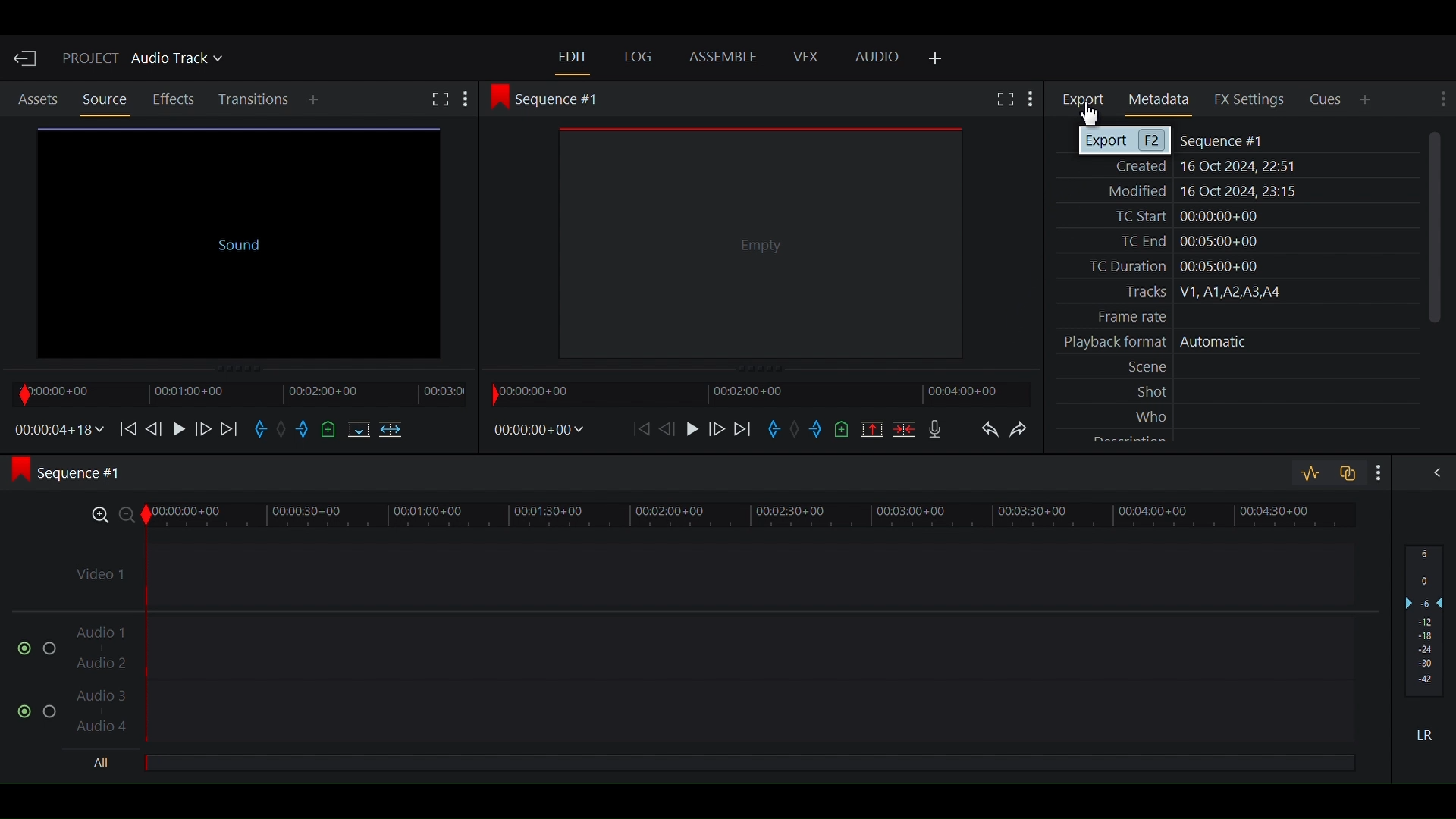 This screenshot has height=819, width=1456. What do you see at coordinates (1345, 472) in the screenshot?
I see `Toggle audio track sync` at bounding box center [1345, 472].